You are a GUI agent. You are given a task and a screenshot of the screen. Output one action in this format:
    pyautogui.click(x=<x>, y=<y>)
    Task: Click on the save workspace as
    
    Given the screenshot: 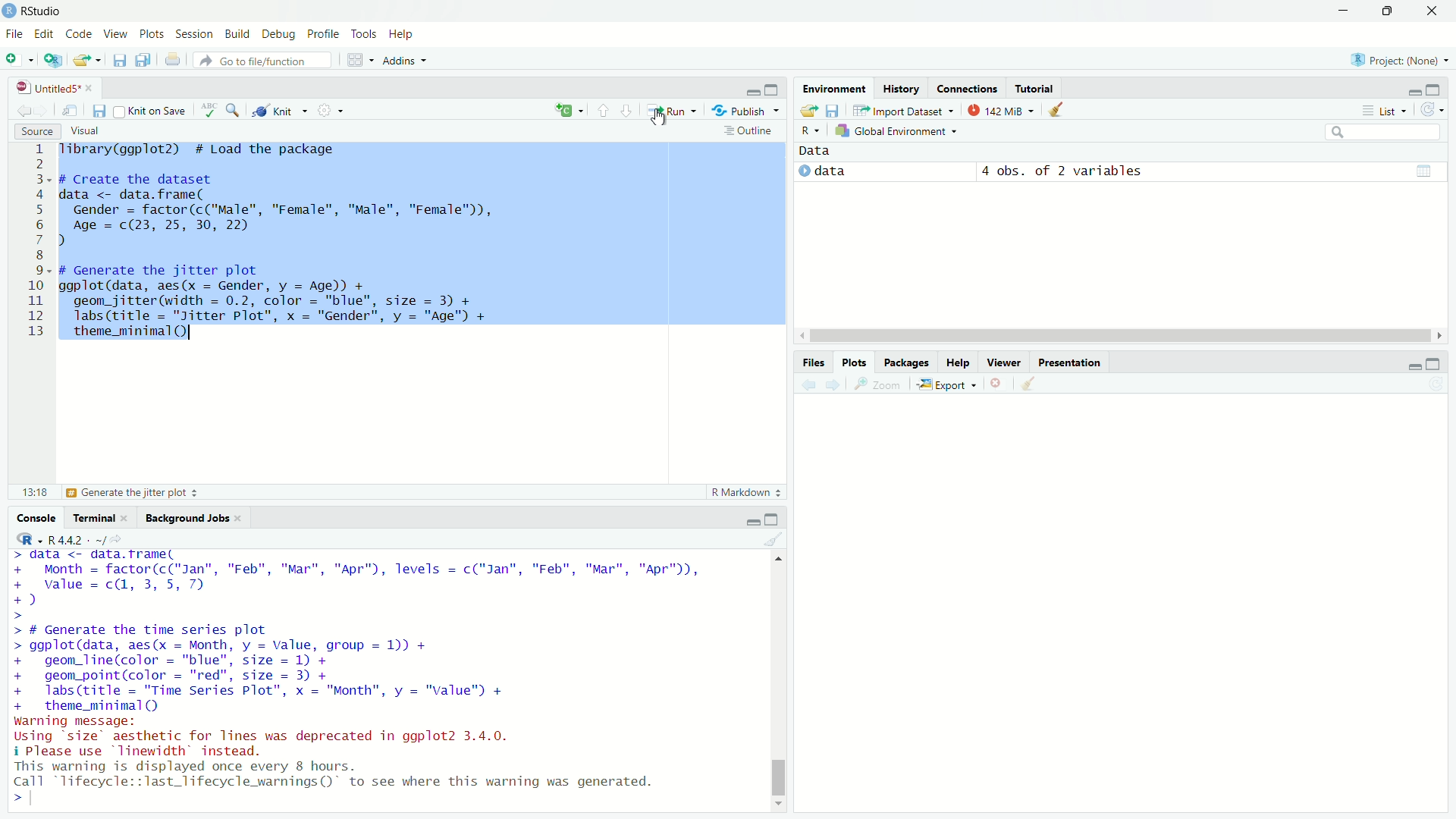 What is the action you would take?
    pyautogui.click(x=834, y=111)
    